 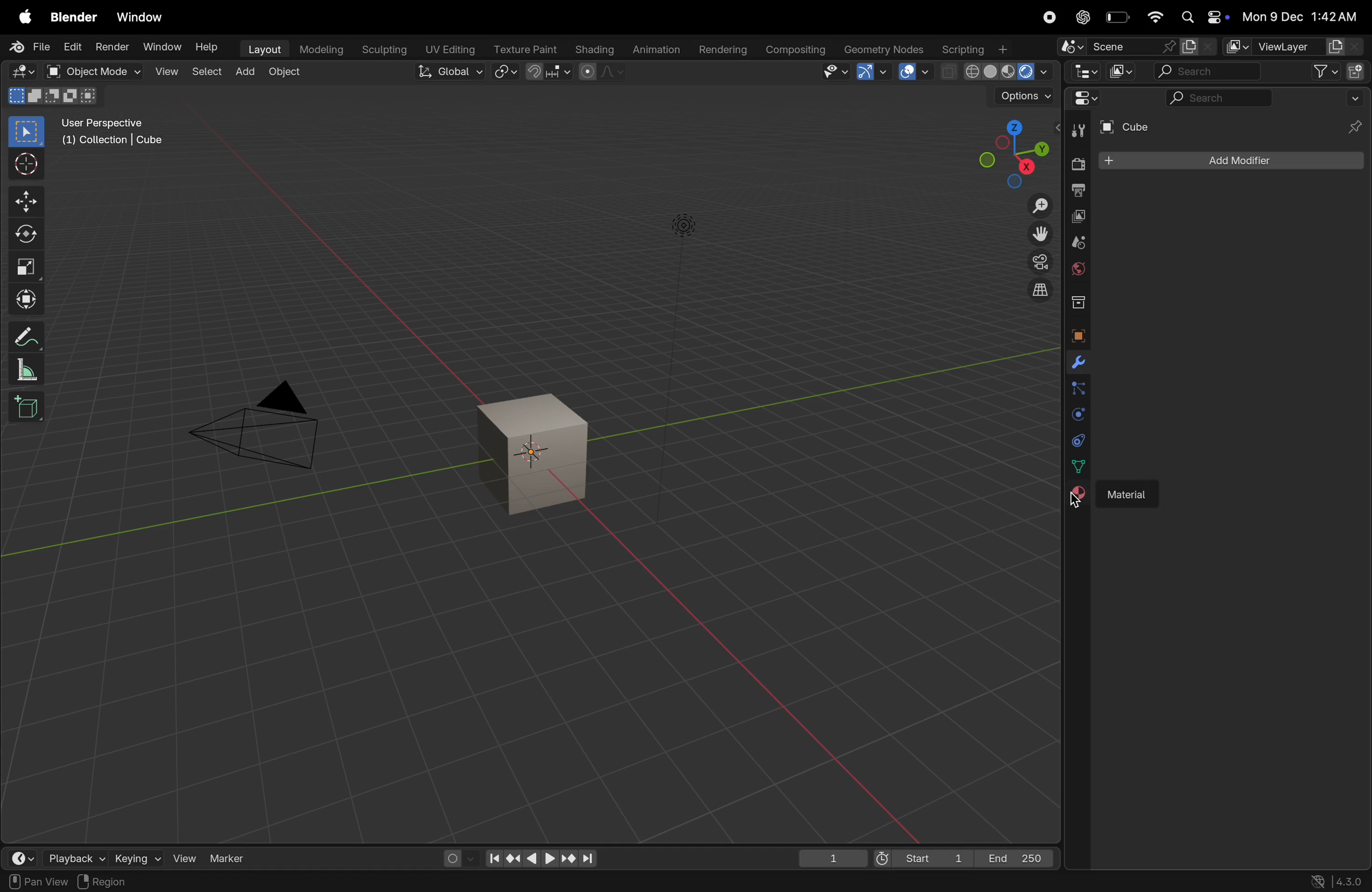 I want to click on scene, so click(x=1076, y=242).